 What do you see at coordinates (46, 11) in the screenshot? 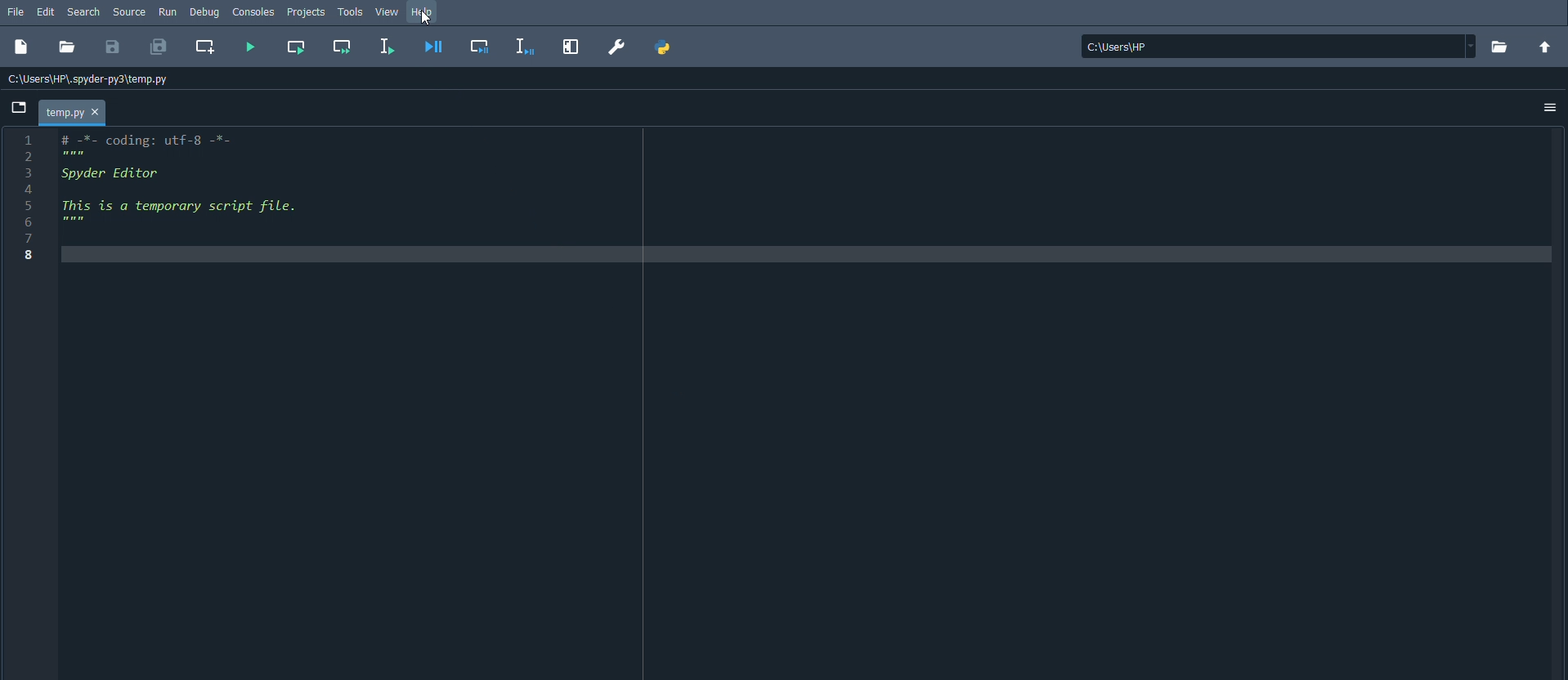
I see `Edit` at bounding box center [46, 11].